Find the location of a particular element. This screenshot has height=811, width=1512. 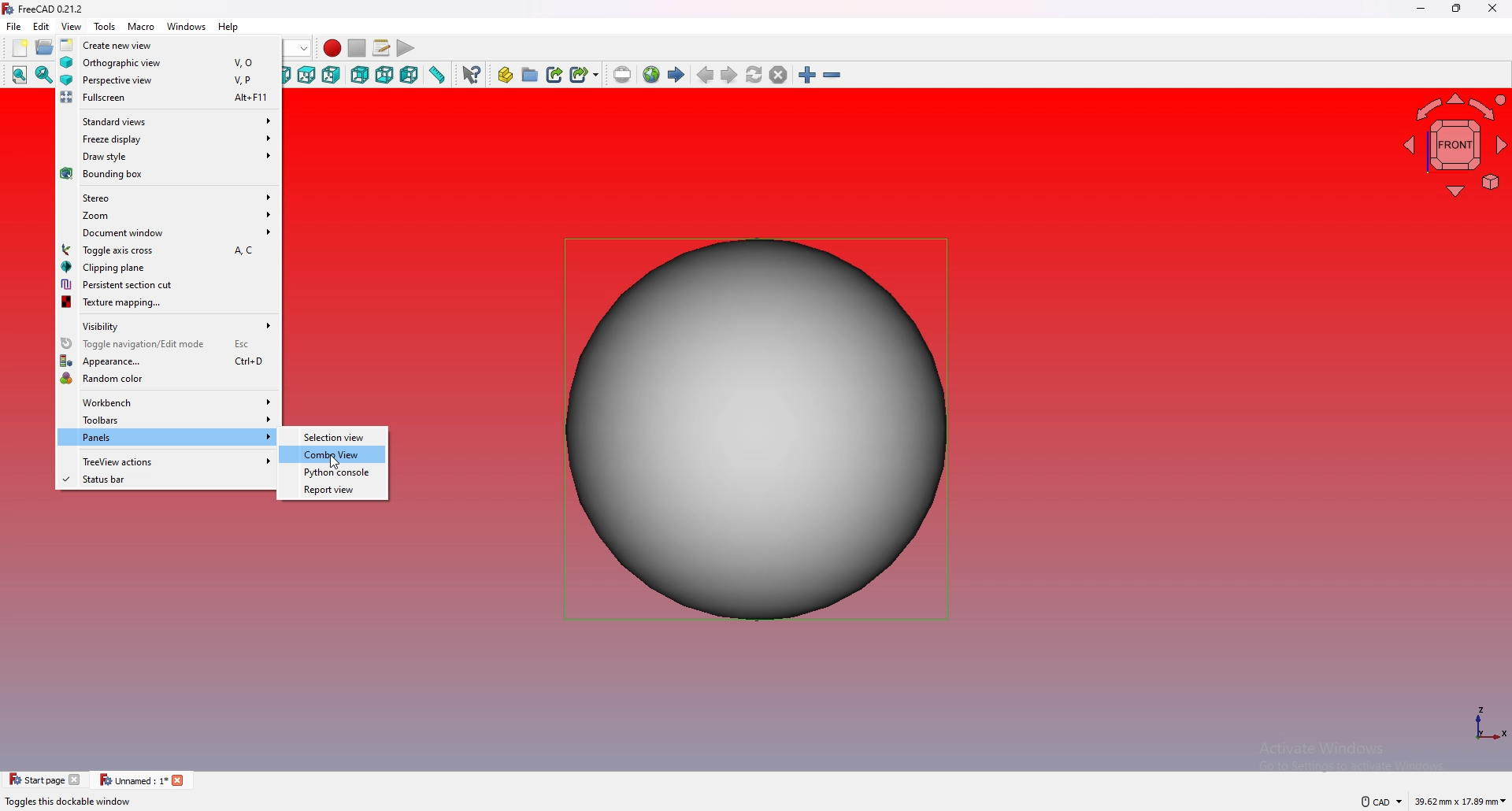

whats this is located at coordinates (472, 74).